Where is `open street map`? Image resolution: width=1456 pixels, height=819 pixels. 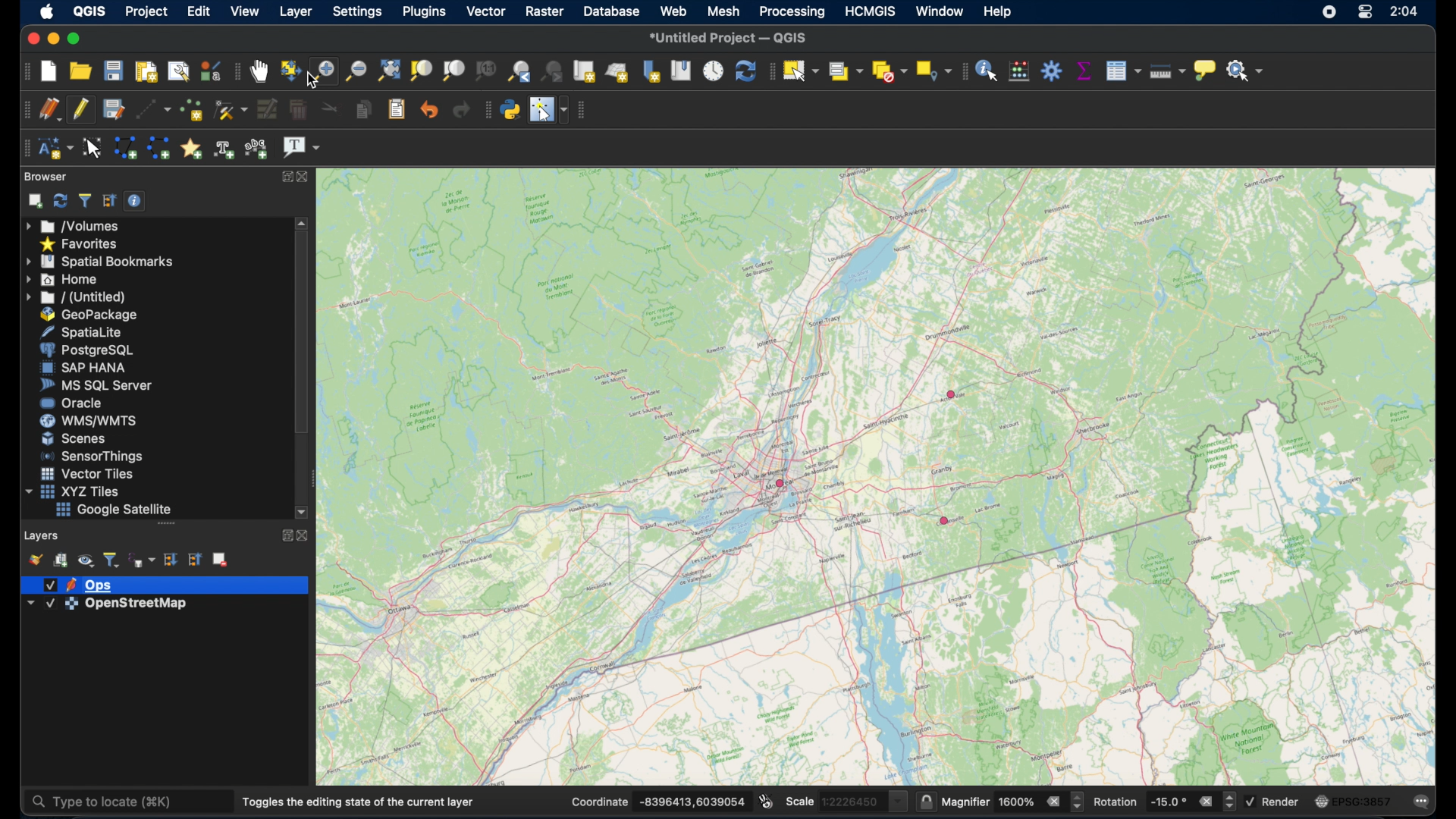 open street map is located at coordinates (1181, 359).